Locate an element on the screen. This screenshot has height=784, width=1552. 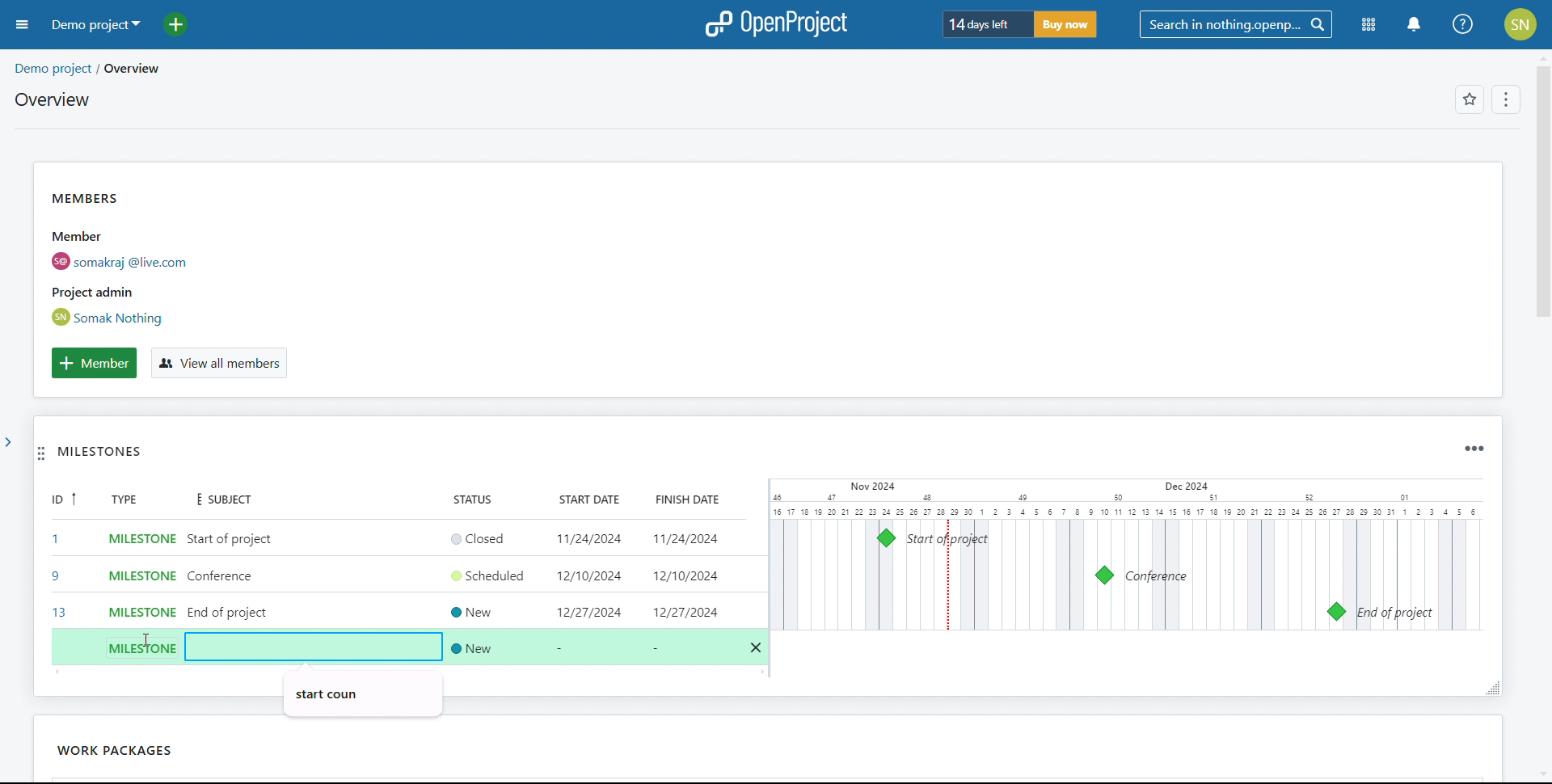
modules is located at coordinates (1369, 26).